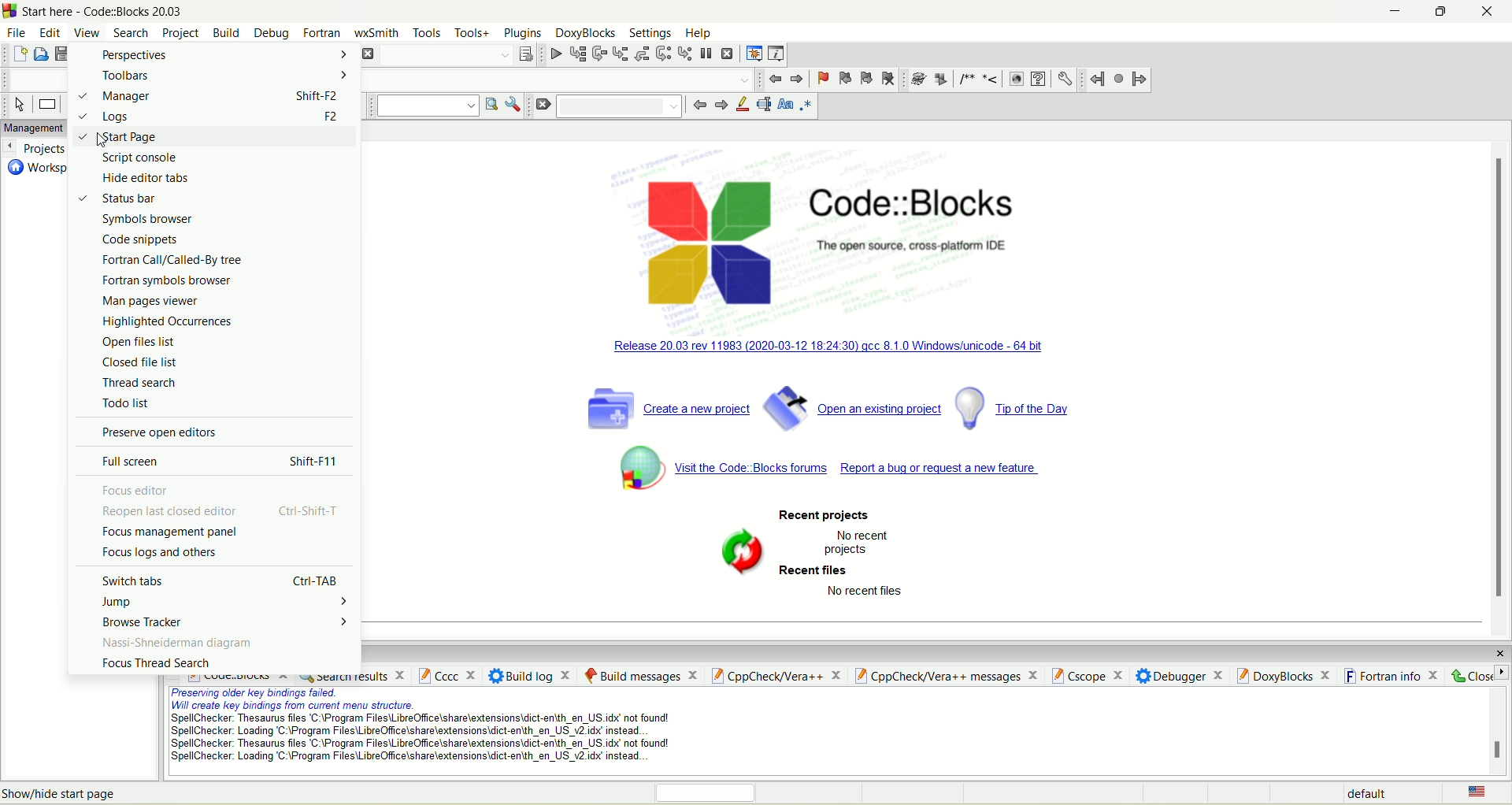 This screenshot has height=805, width=1512. Describe the element at coordinates (708, 54) in the screenshot. I see `break debugger` at that location.